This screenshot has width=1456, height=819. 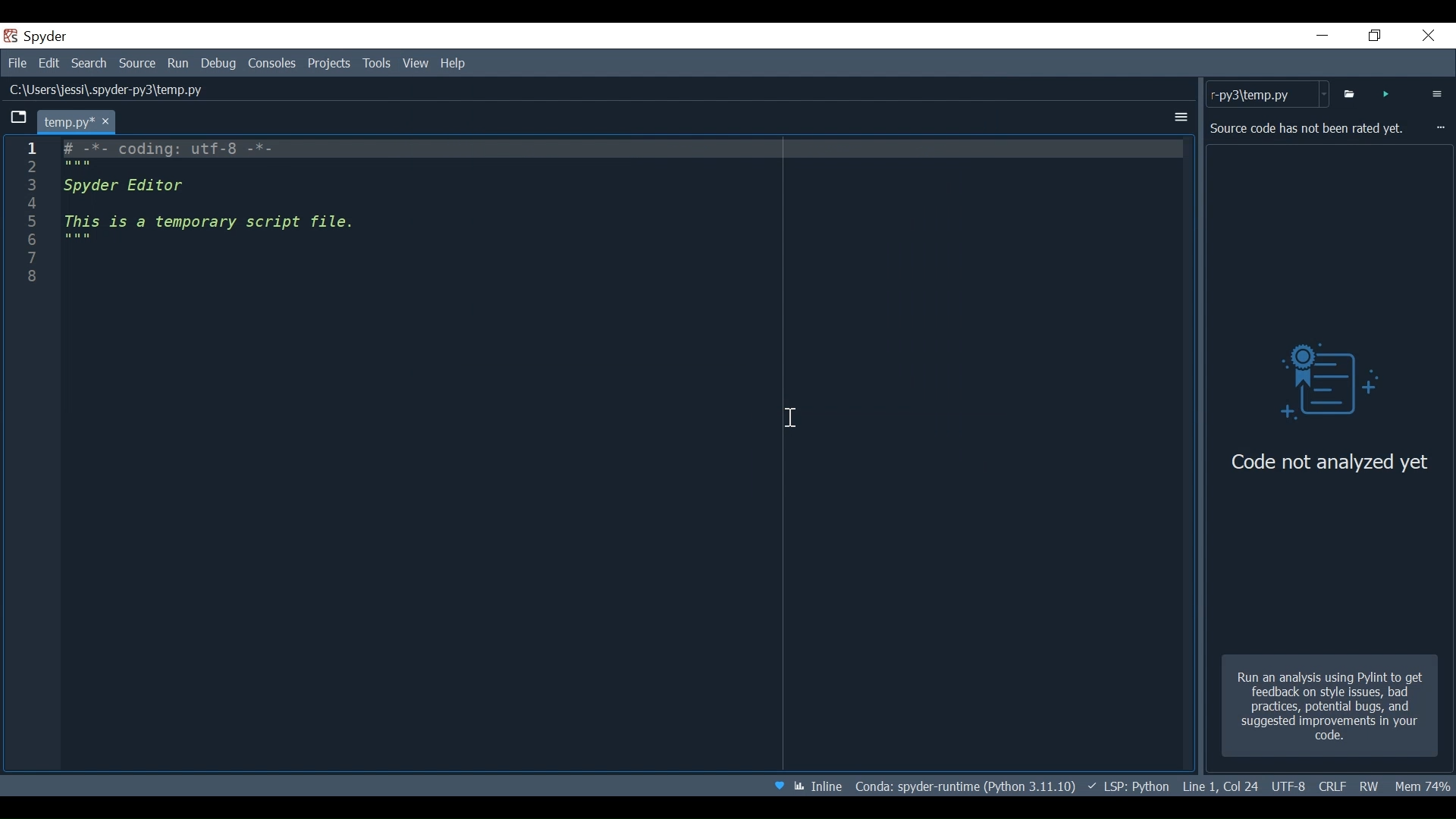 I want to click on More options, so click(x=1439, y=93).